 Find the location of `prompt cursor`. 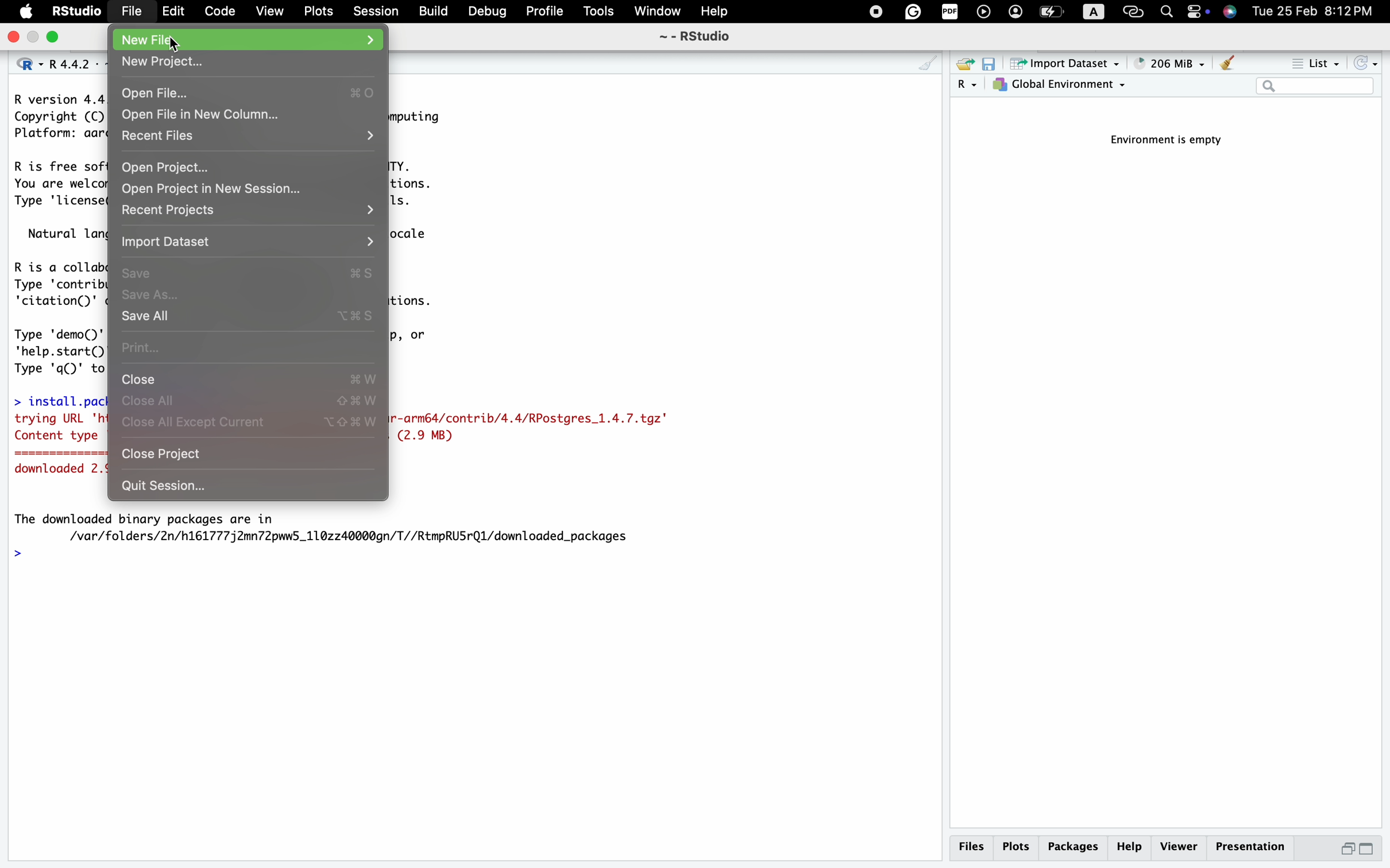

prompt cursor is located at coordinates (17, 555).